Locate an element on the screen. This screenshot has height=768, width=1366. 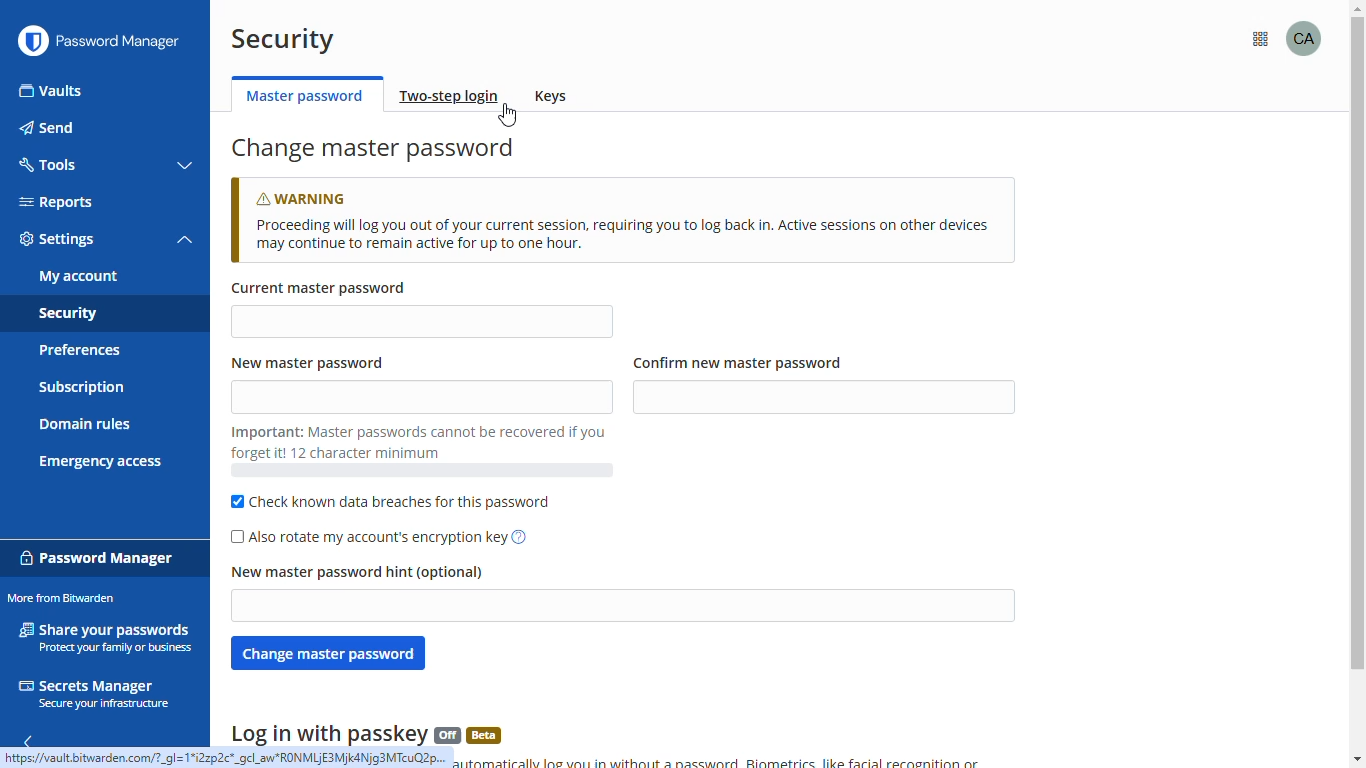
log in with passkey is located at coordinates (325, 732).